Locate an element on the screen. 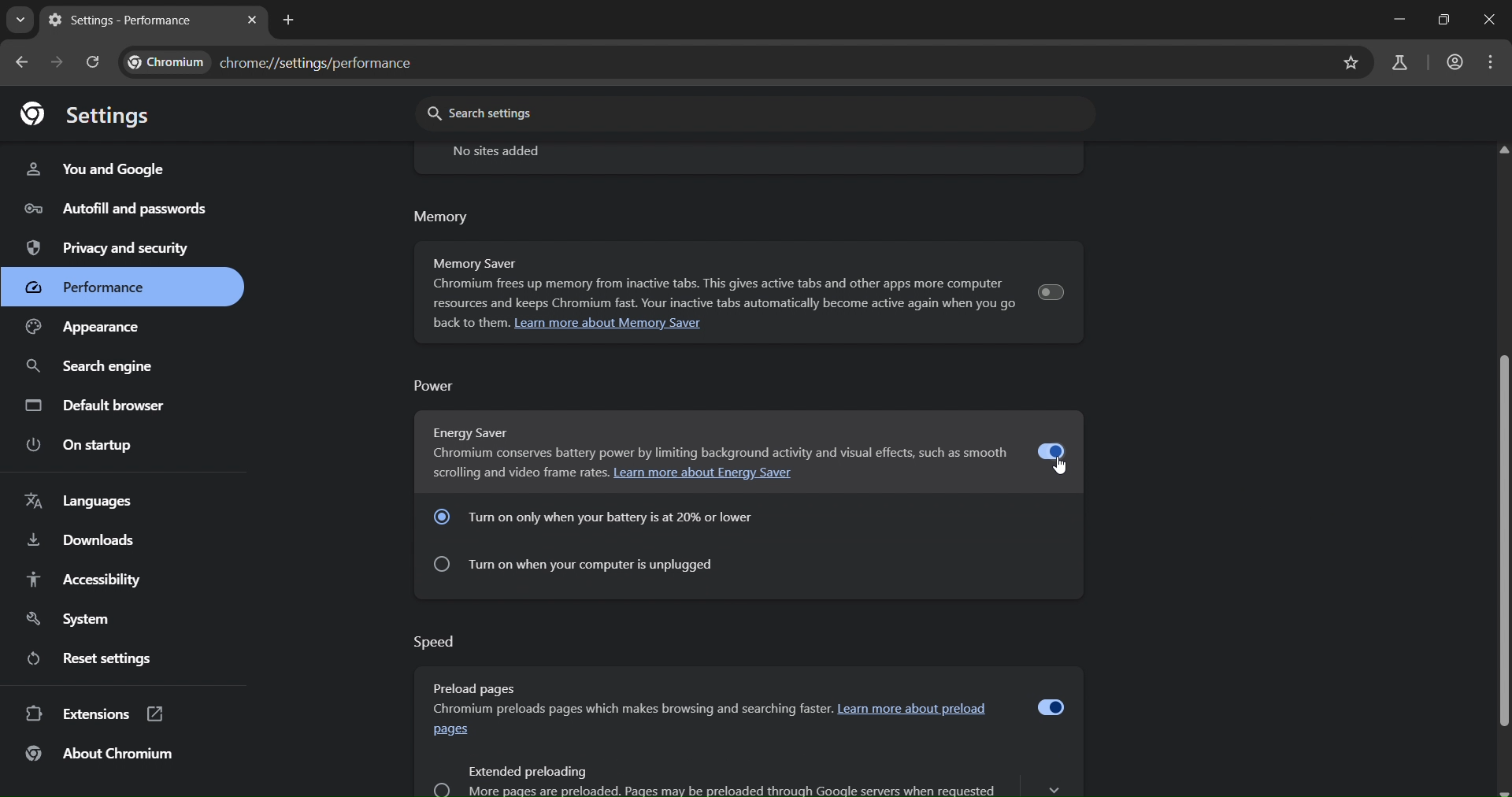  account is located at coordinates (1452, 63).